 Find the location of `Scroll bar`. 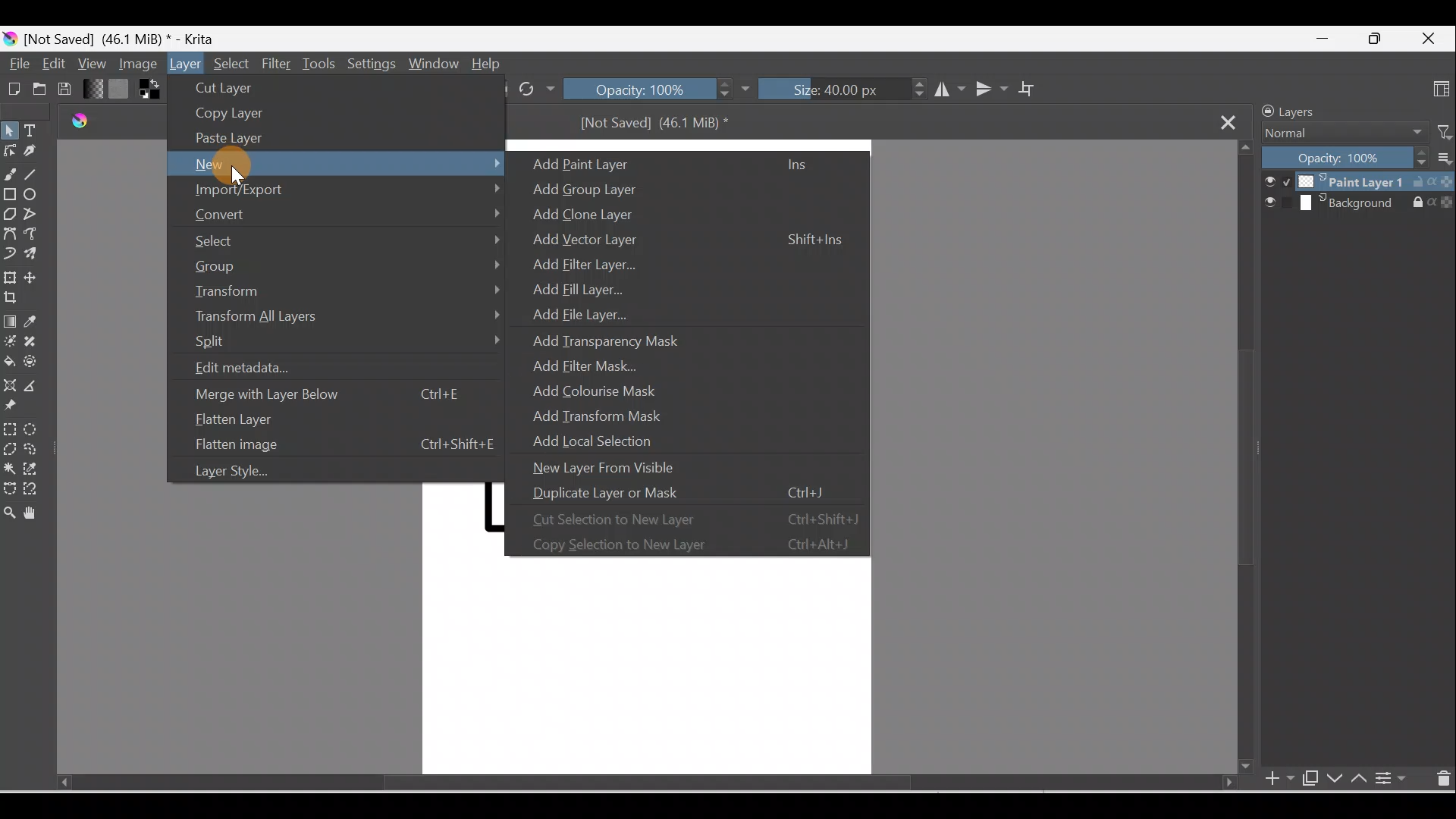

Scroll bar is located at coordinates (621, 783).